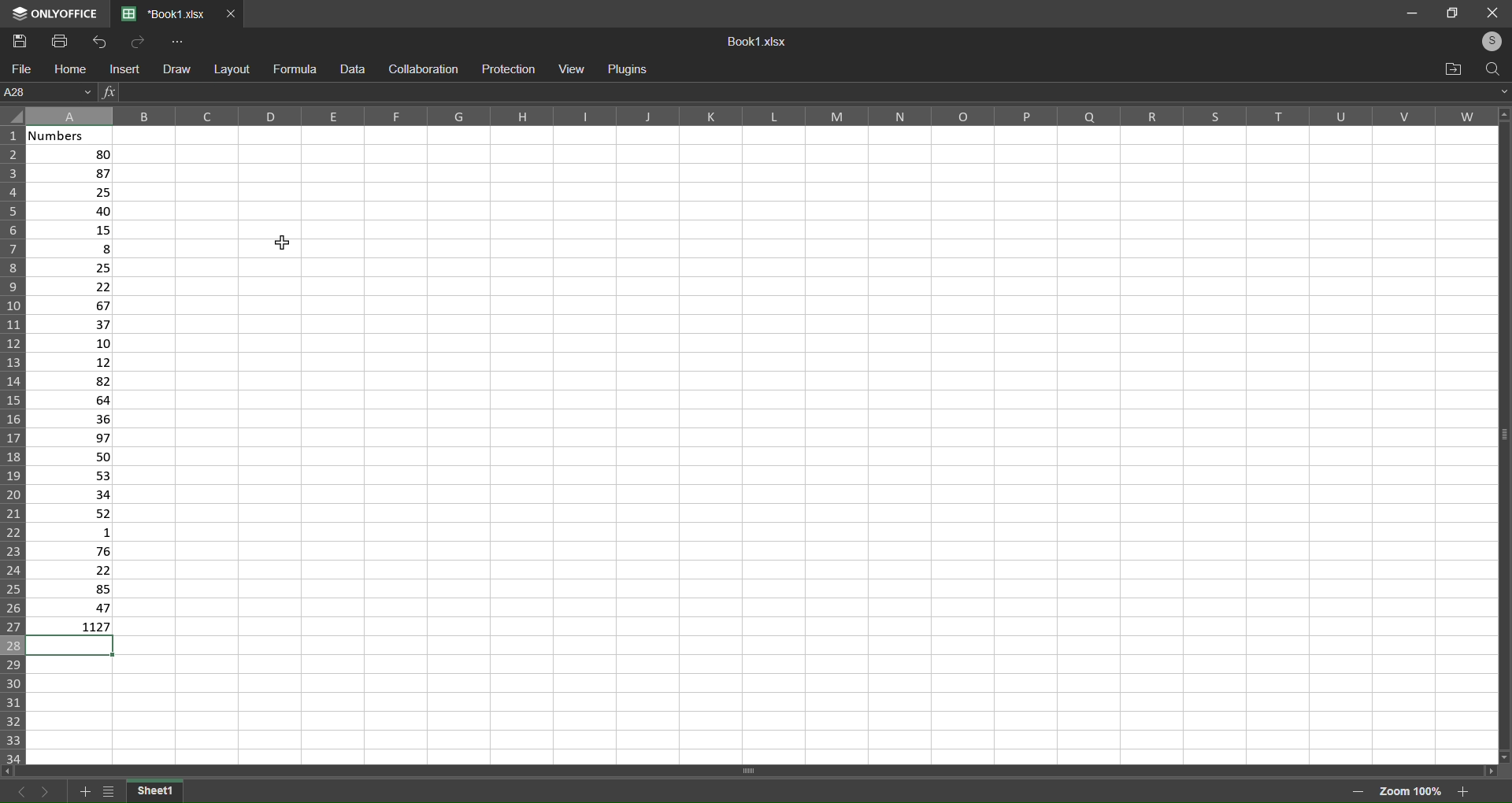 The image size is (1512, 803). Describe the element at coordinates (21, 40) in the screenshot. I see `Save` at that location.